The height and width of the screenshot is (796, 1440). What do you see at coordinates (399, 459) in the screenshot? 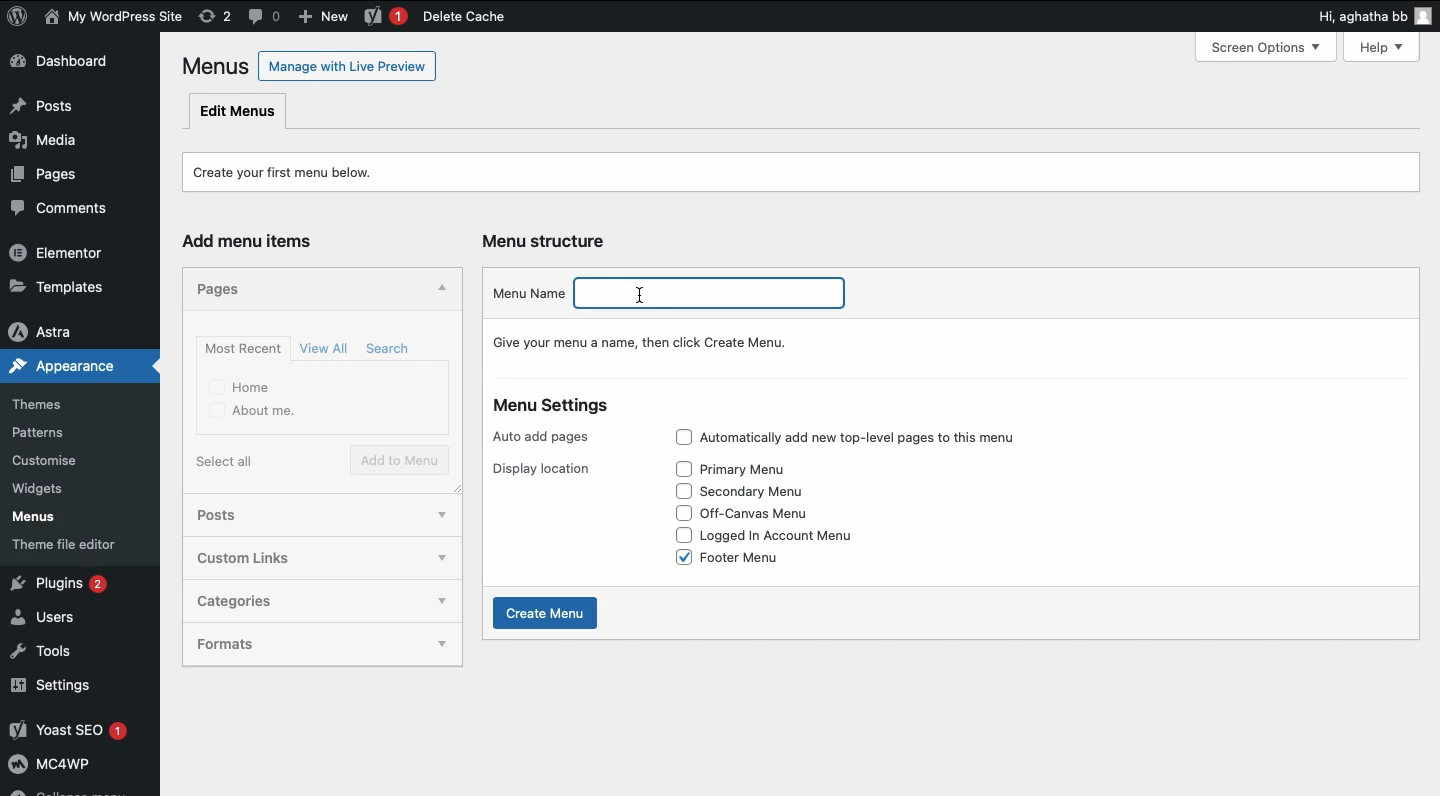
I see `Add to menu` at bounding box center [399, 459].